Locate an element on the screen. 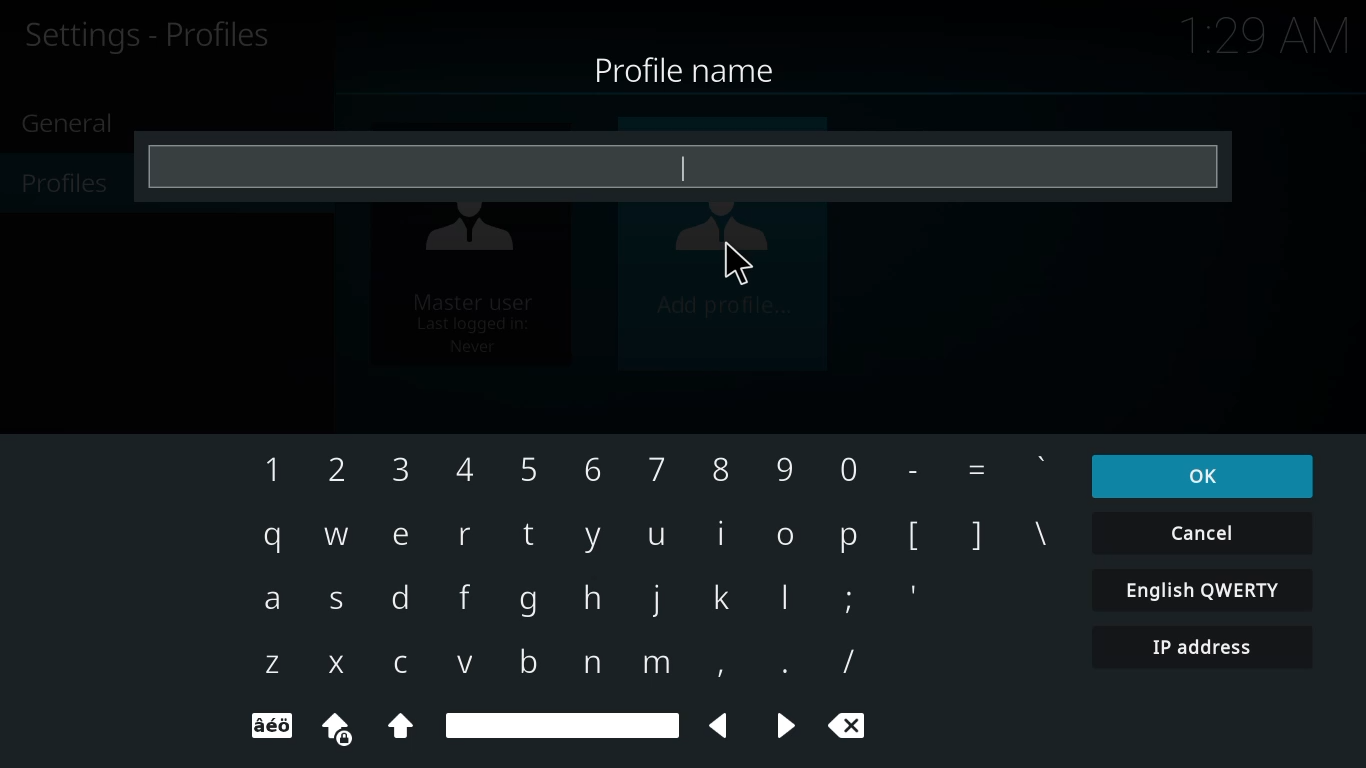  ; is located at coordinates (858, 611).